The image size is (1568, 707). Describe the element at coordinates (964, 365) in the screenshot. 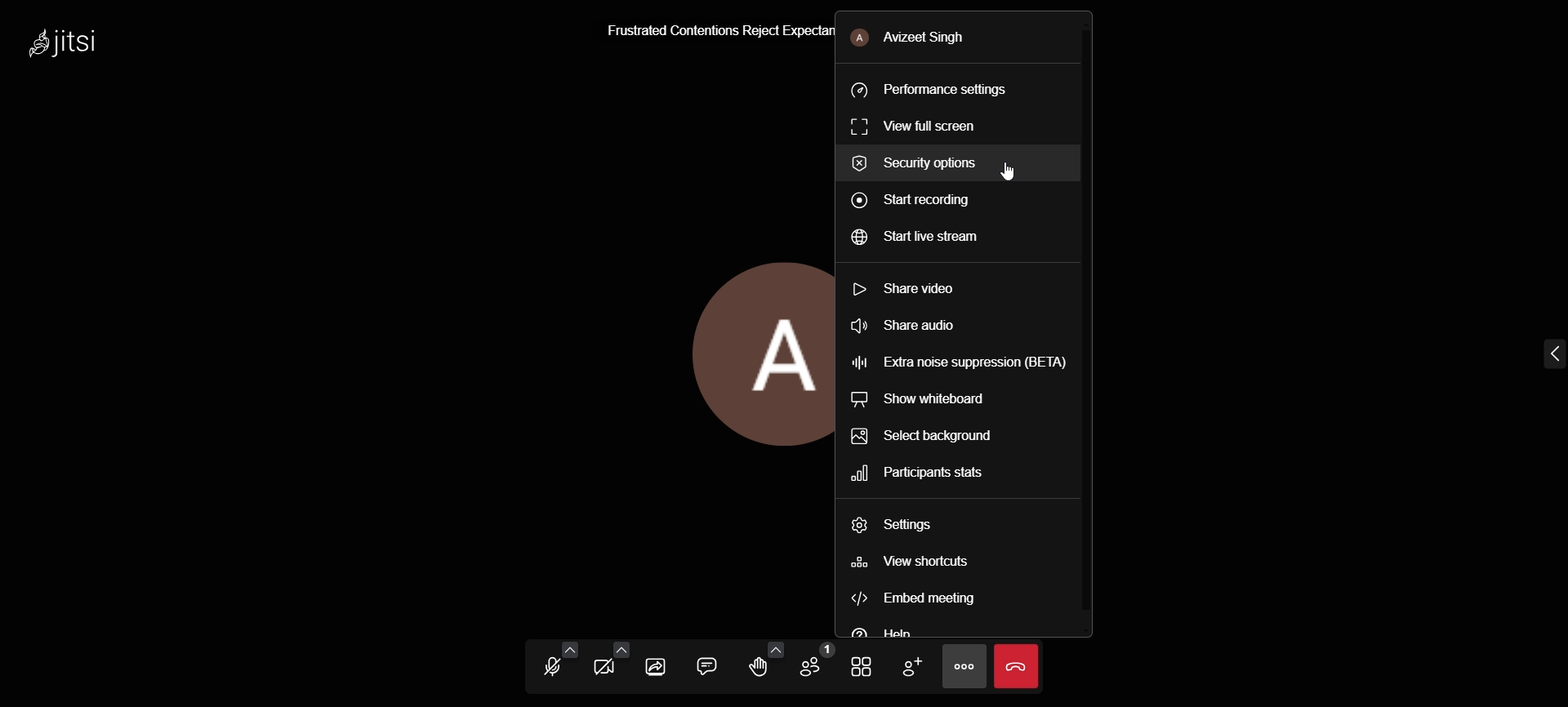

I see `extra noise suppression (BETA)` at that location.